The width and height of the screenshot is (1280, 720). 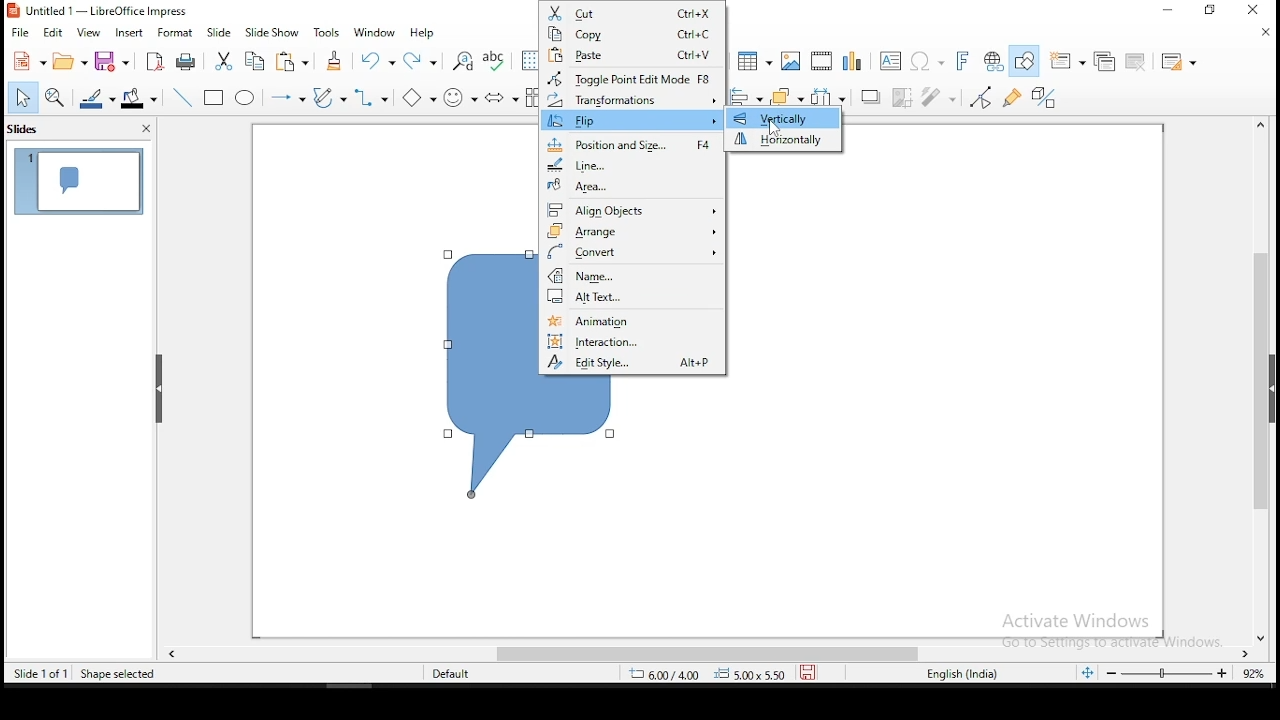 What do you see at coordinates (1026, 62) in the screenshot?
I see `show draw functions` at bounding box center [1026, 62].